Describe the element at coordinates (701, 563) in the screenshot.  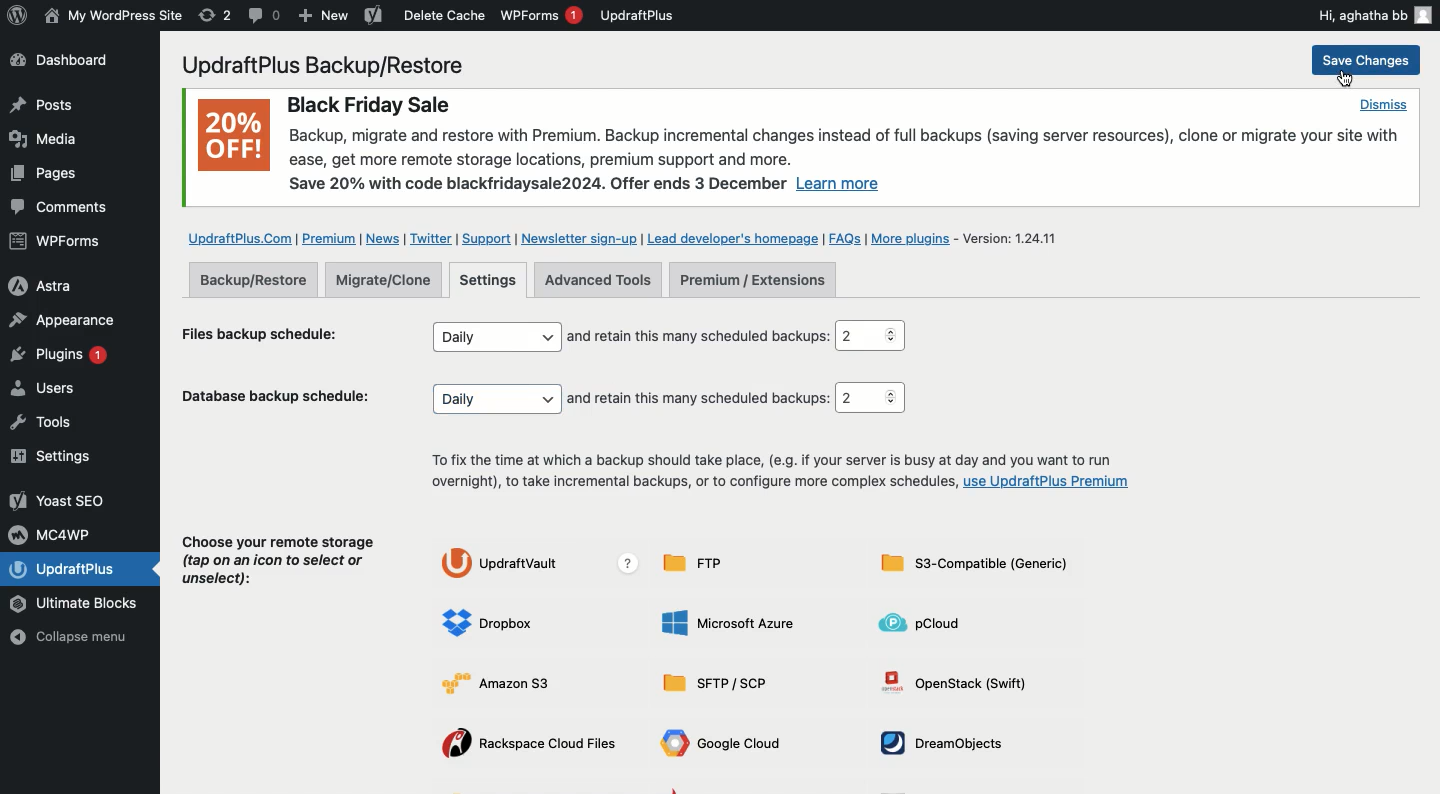
I see `FTP` at that location.